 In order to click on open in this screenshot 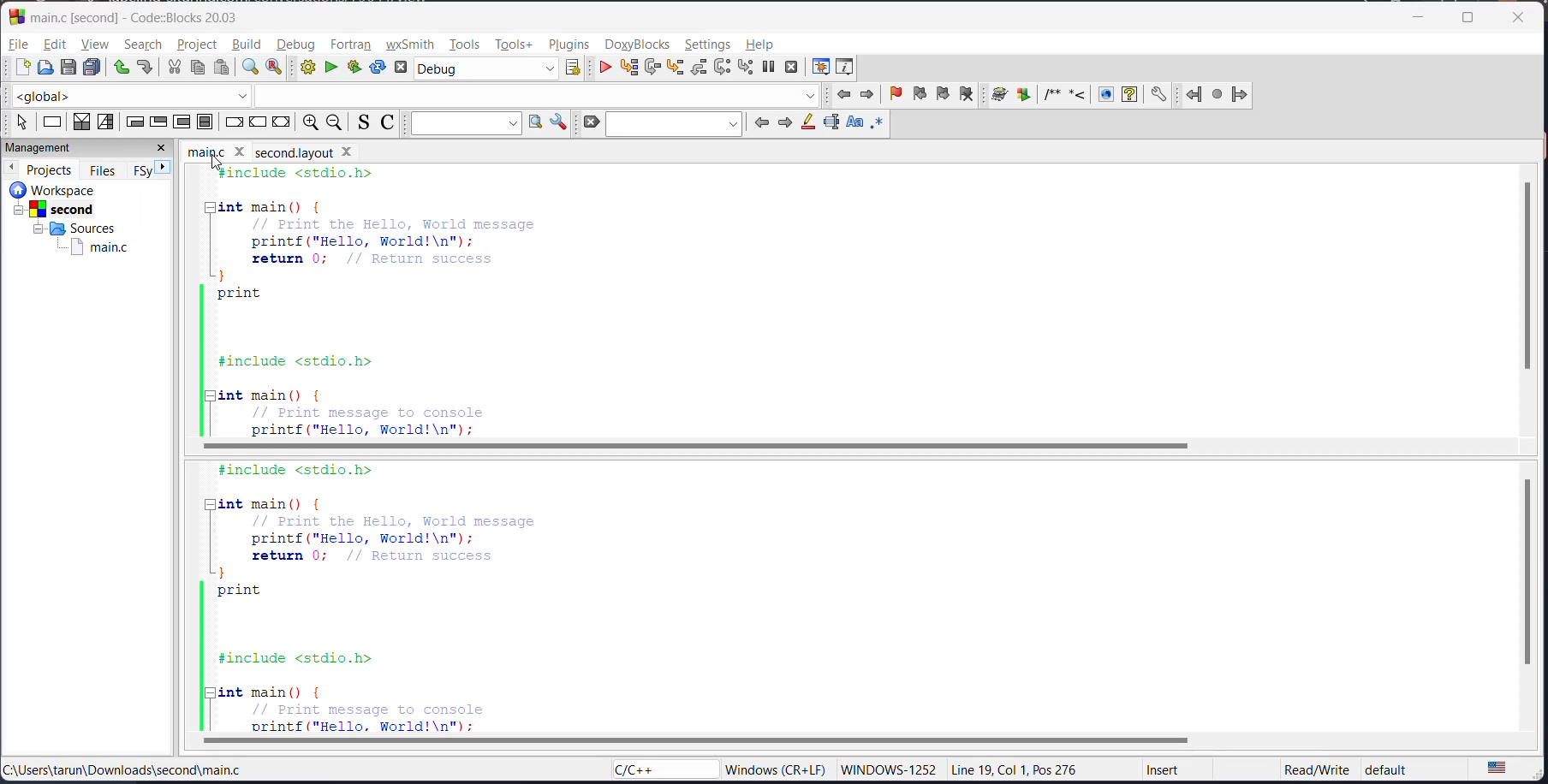, I will do `click(49, 69)`.